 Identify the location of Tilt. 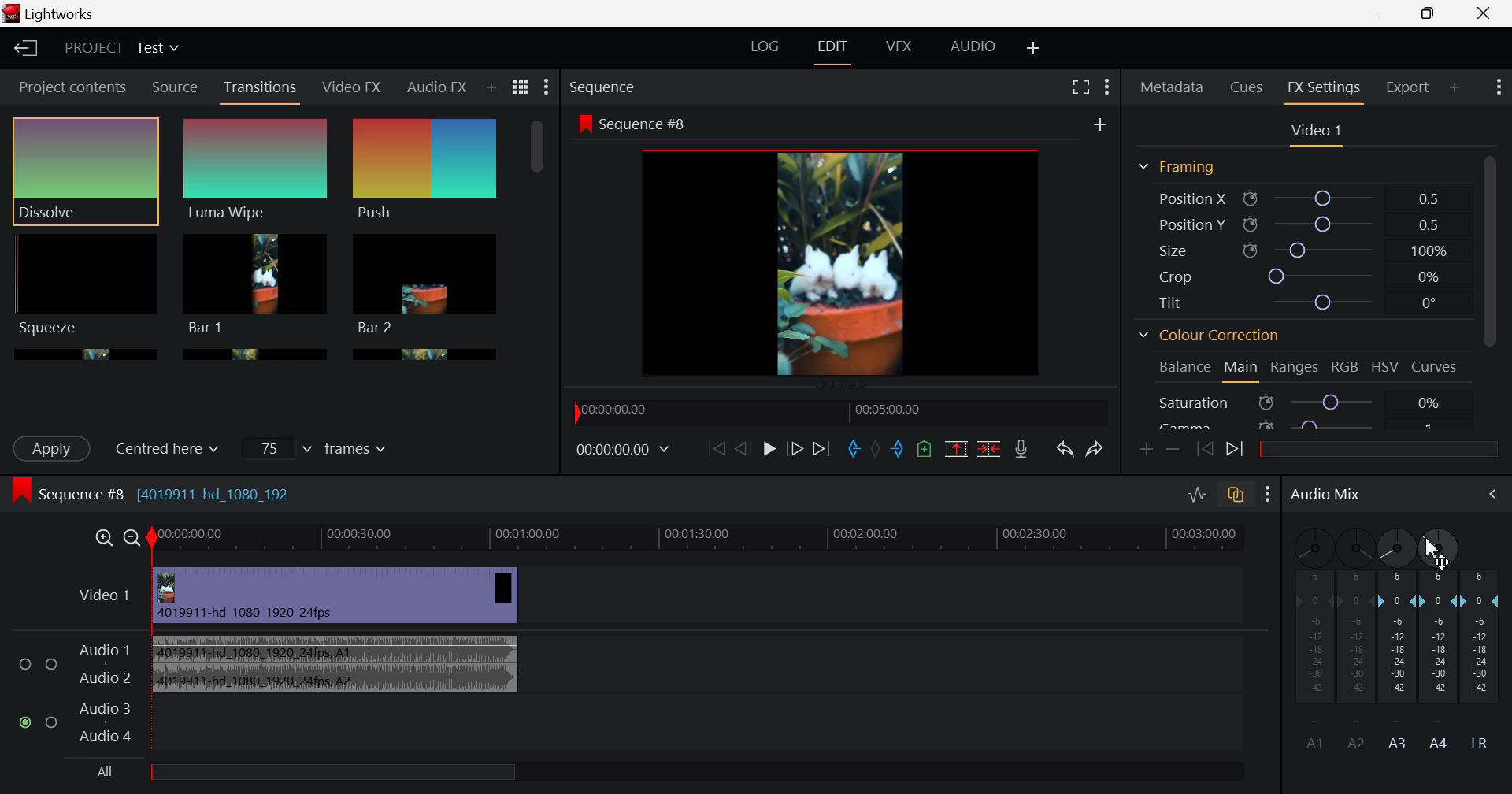
(1299, 304).